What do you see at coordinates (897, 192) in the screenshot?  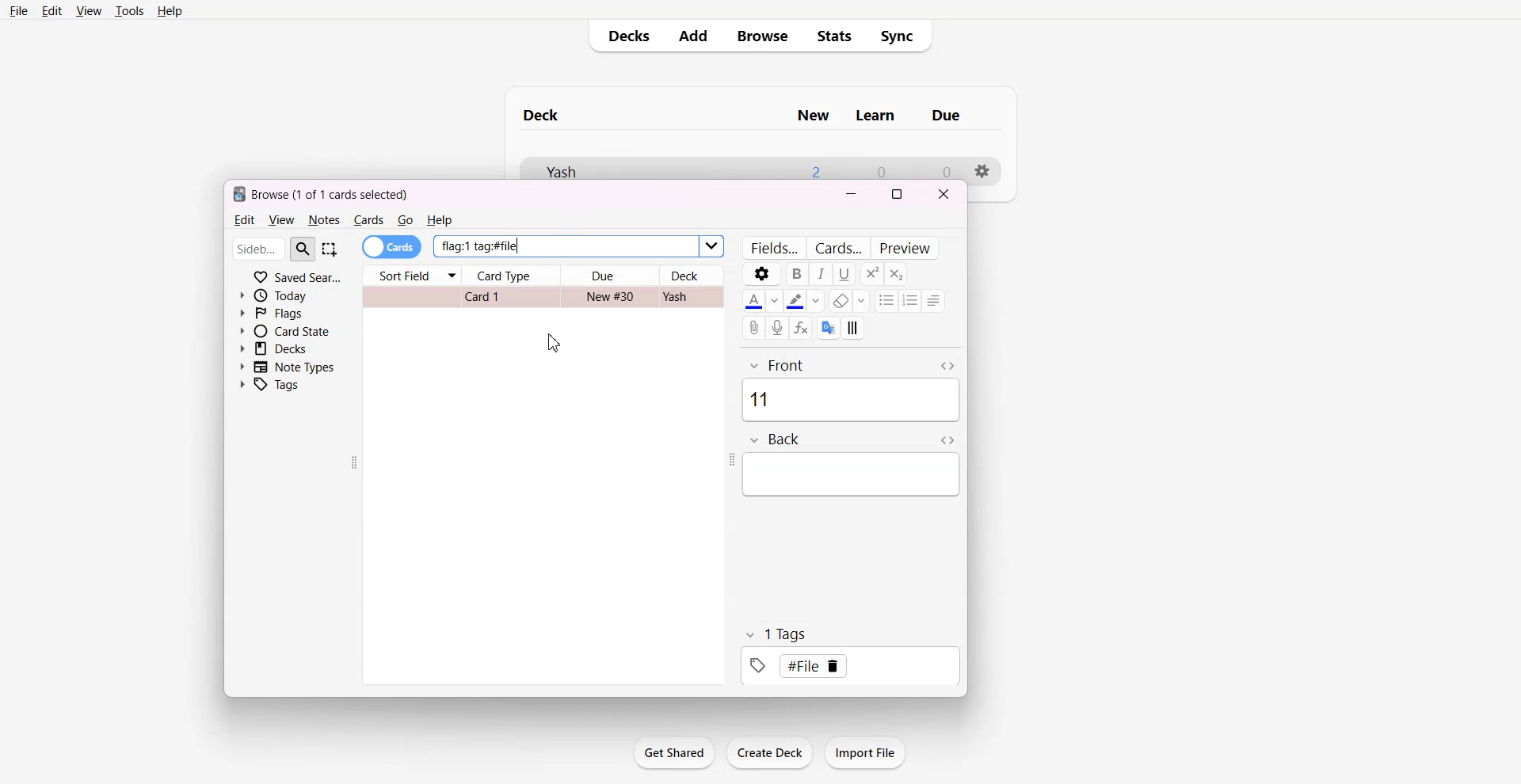 I see `Maximize` at bounding box center [897, 192].